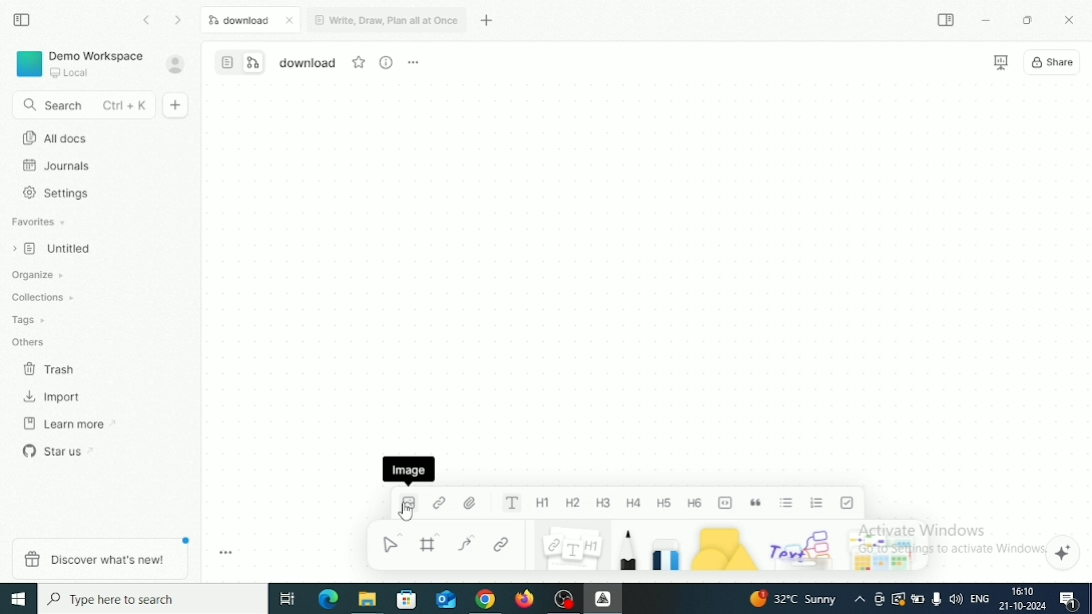 The height and width of the screenshot is (614, 1092). I want to click on Restore Down, so click(1026, 21).